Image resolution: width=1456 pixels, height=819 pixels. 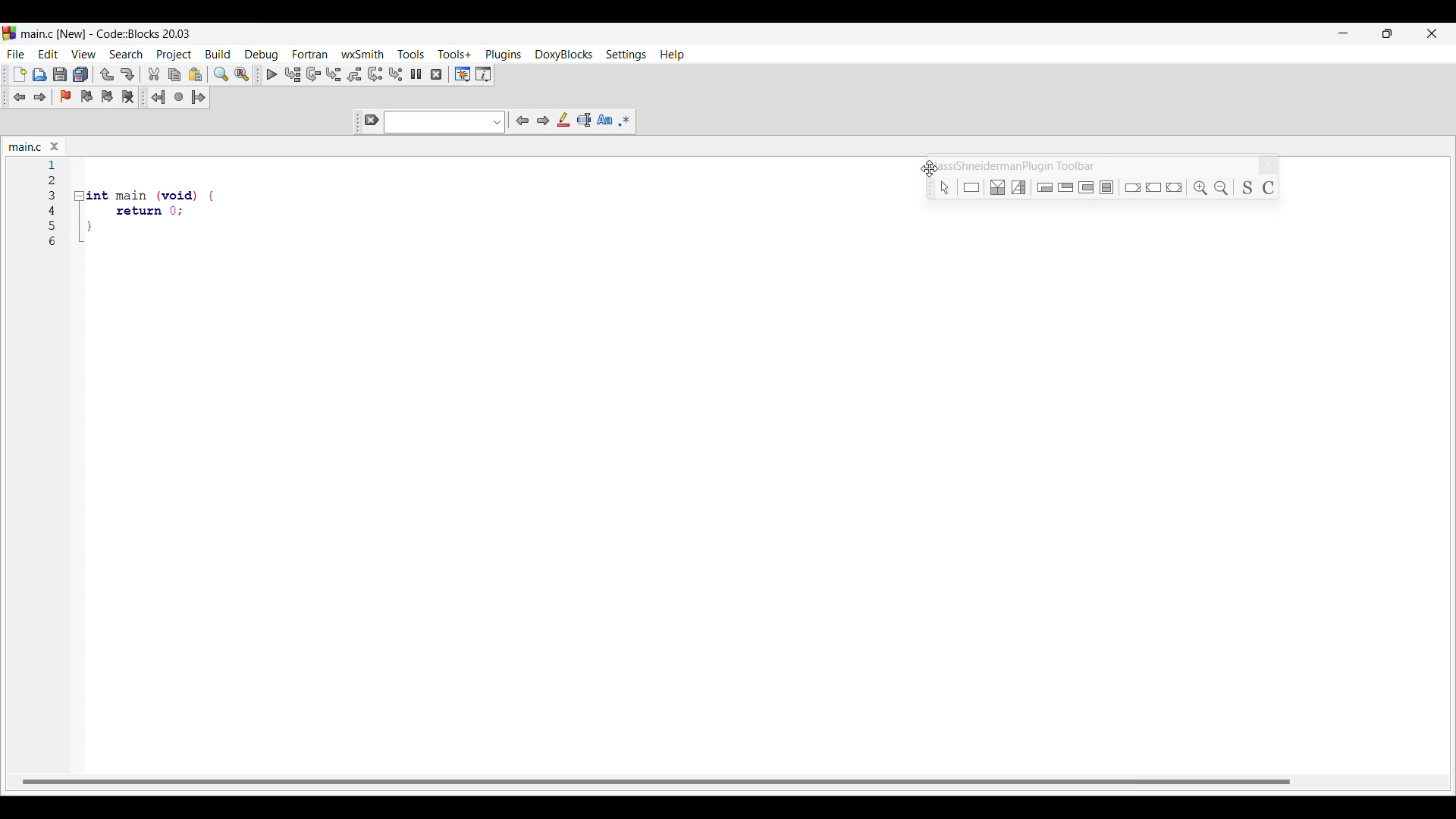 I want to click on , so click(x=1087, y=188).